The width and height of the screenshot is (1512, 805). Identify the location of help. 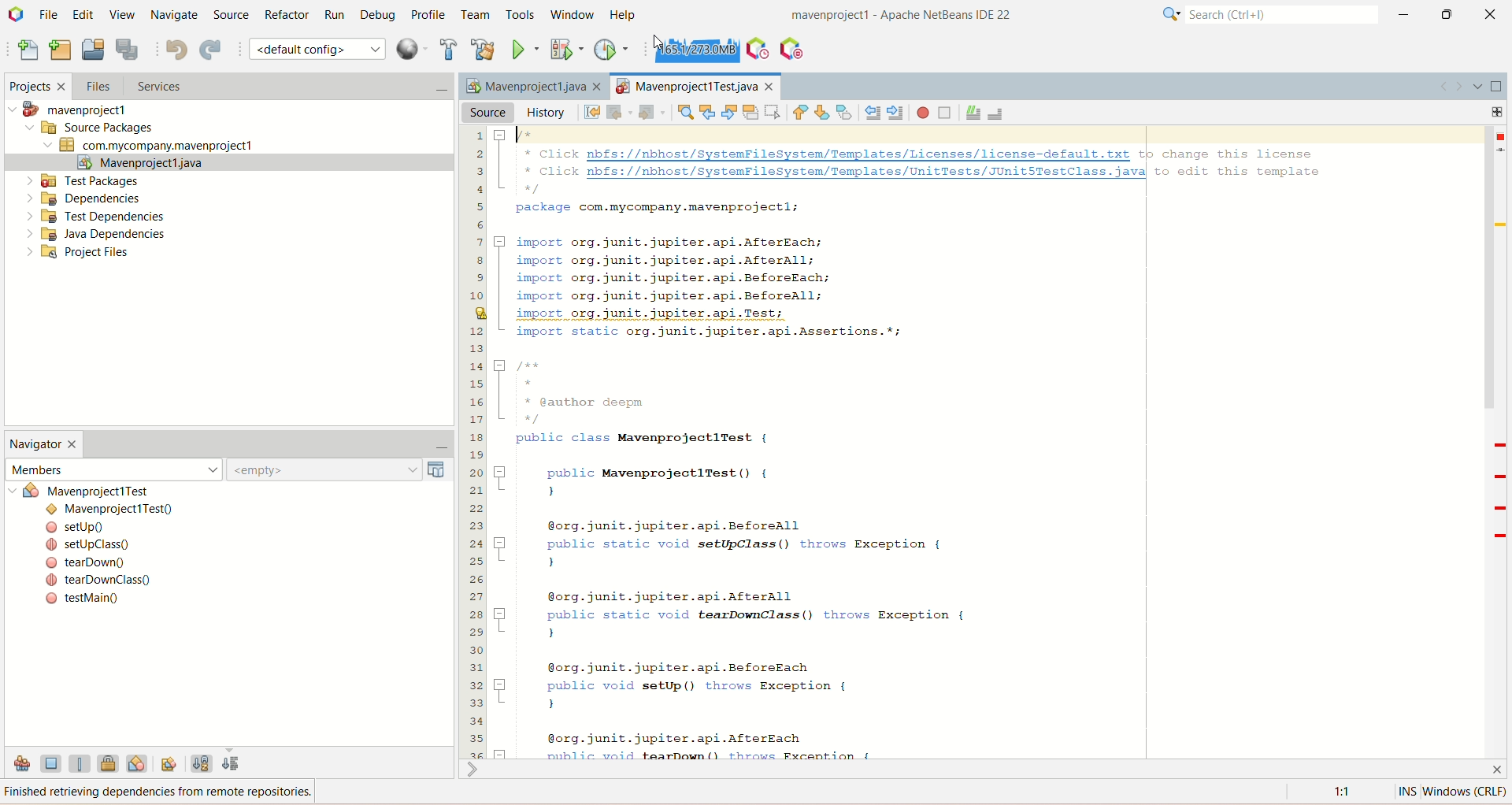
(627, 14).